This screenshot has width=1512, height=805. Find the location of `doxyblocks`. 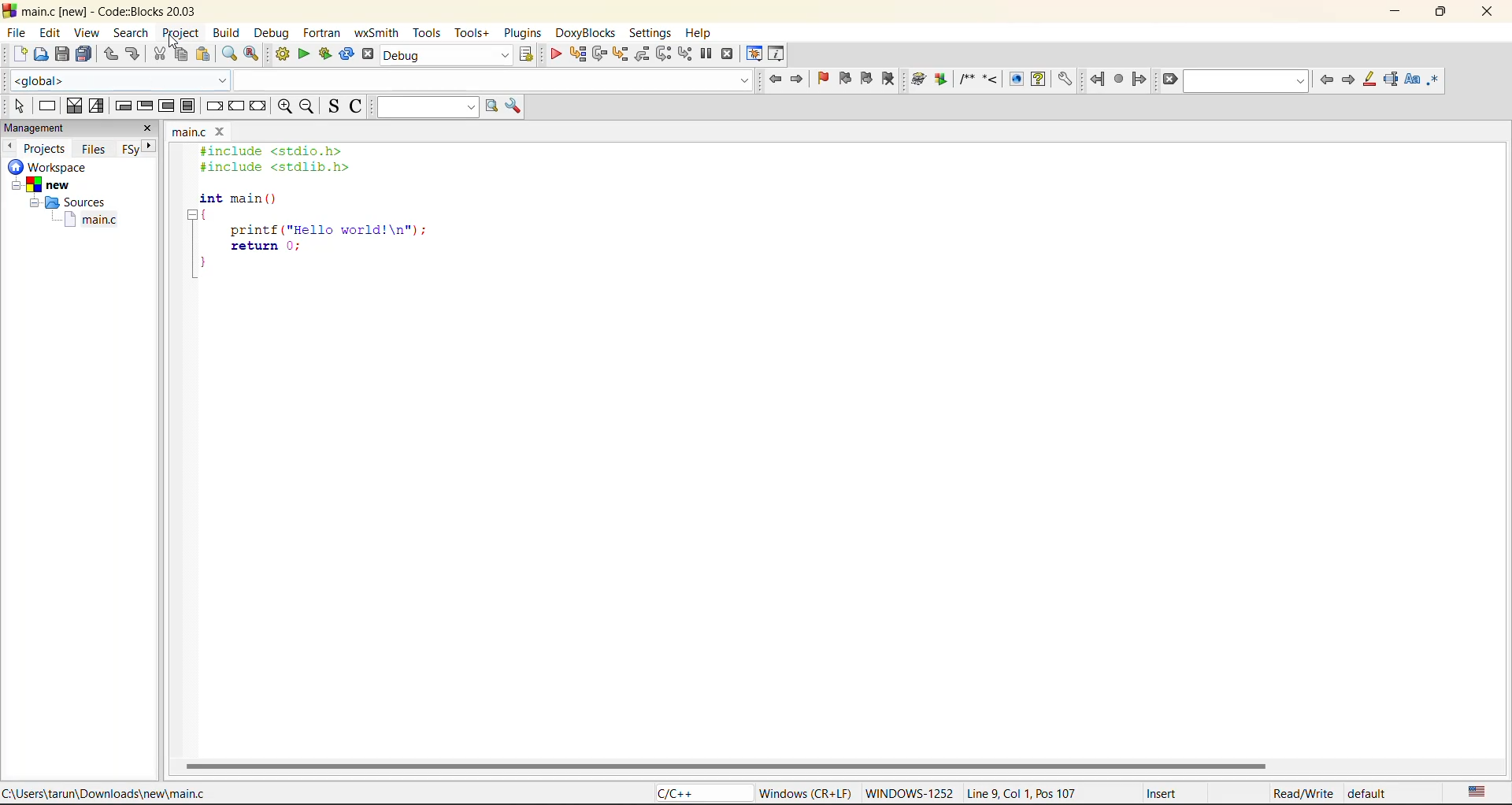

doxyblocks is located at coordinates (584, 33).